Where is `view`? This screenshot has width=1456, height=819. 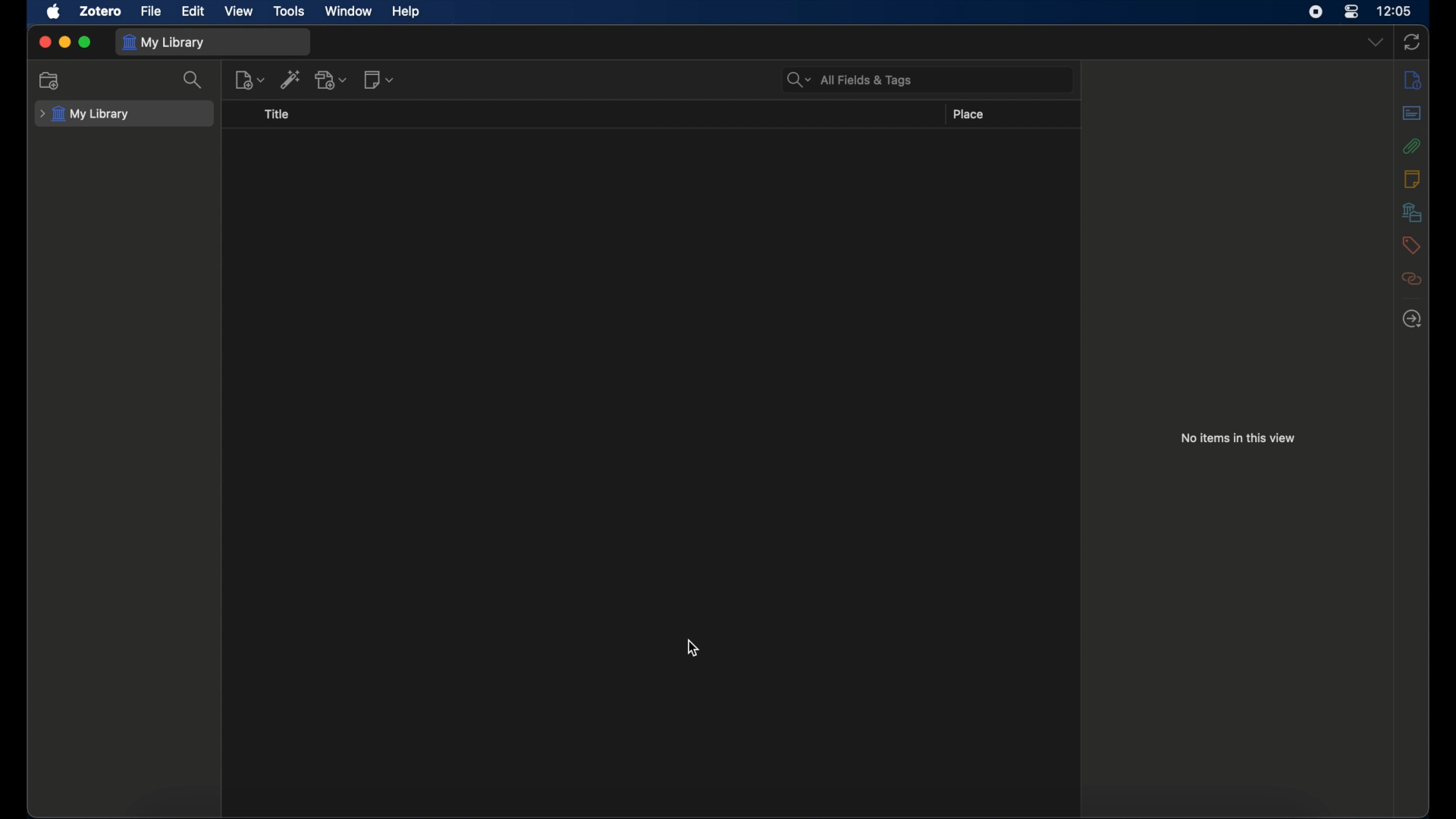 view is located at coordinates (240, 11).